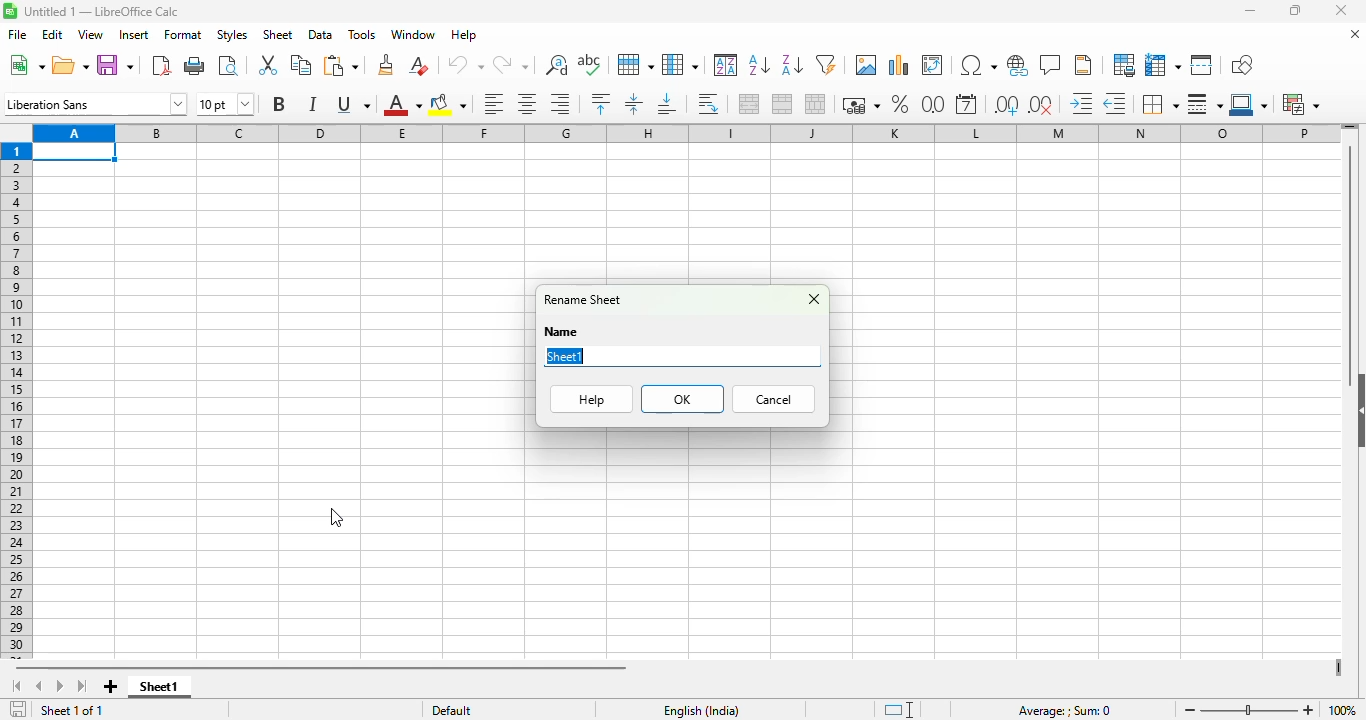 Image resolution: width=1366 pixels, height=720 pixels. Describe the element at coordinates (726, 65) in the screenshot. I see `sort` at that location.